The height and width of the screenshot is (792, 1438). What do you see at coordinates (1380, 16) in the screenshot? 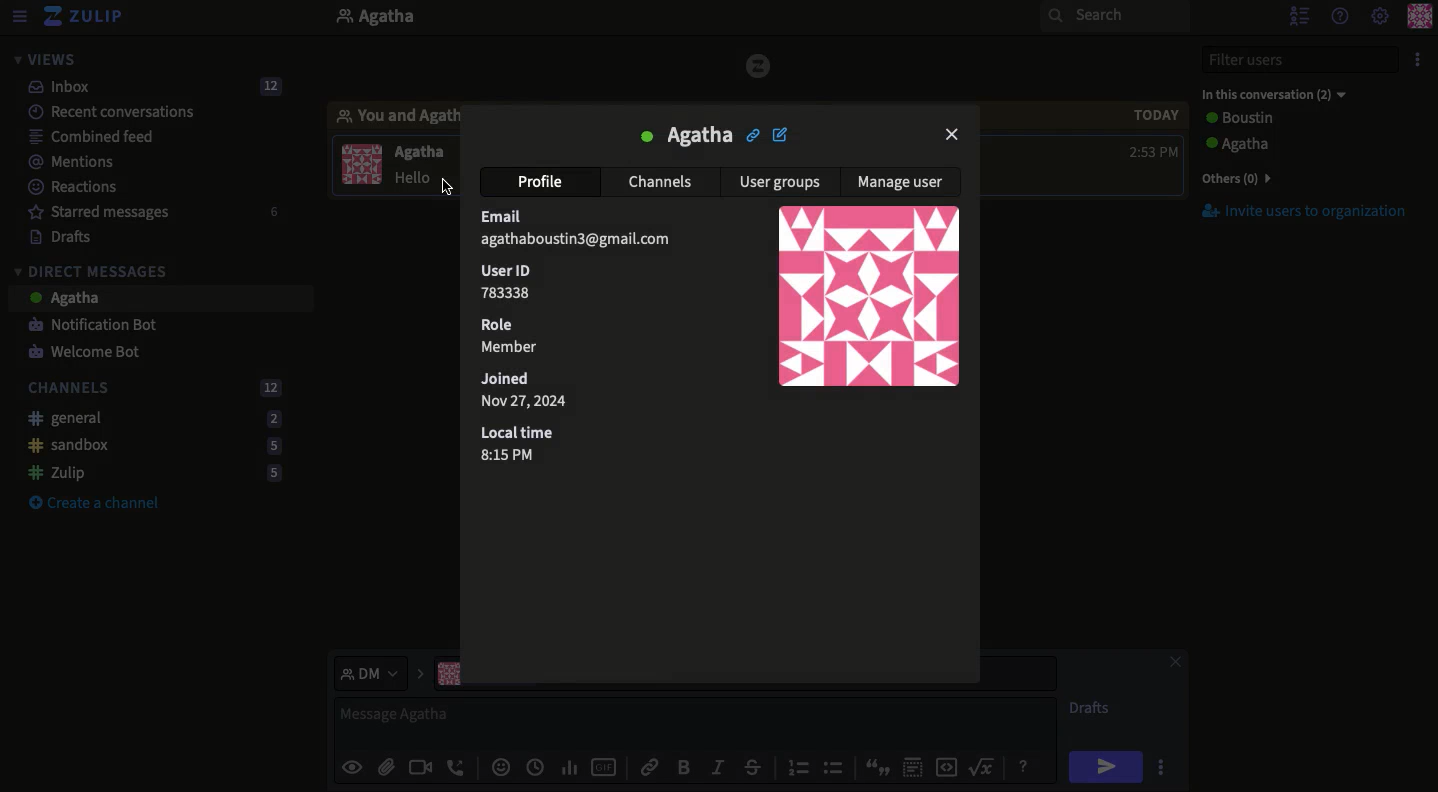
I see `Settings` at bounding box center [1380, 16].